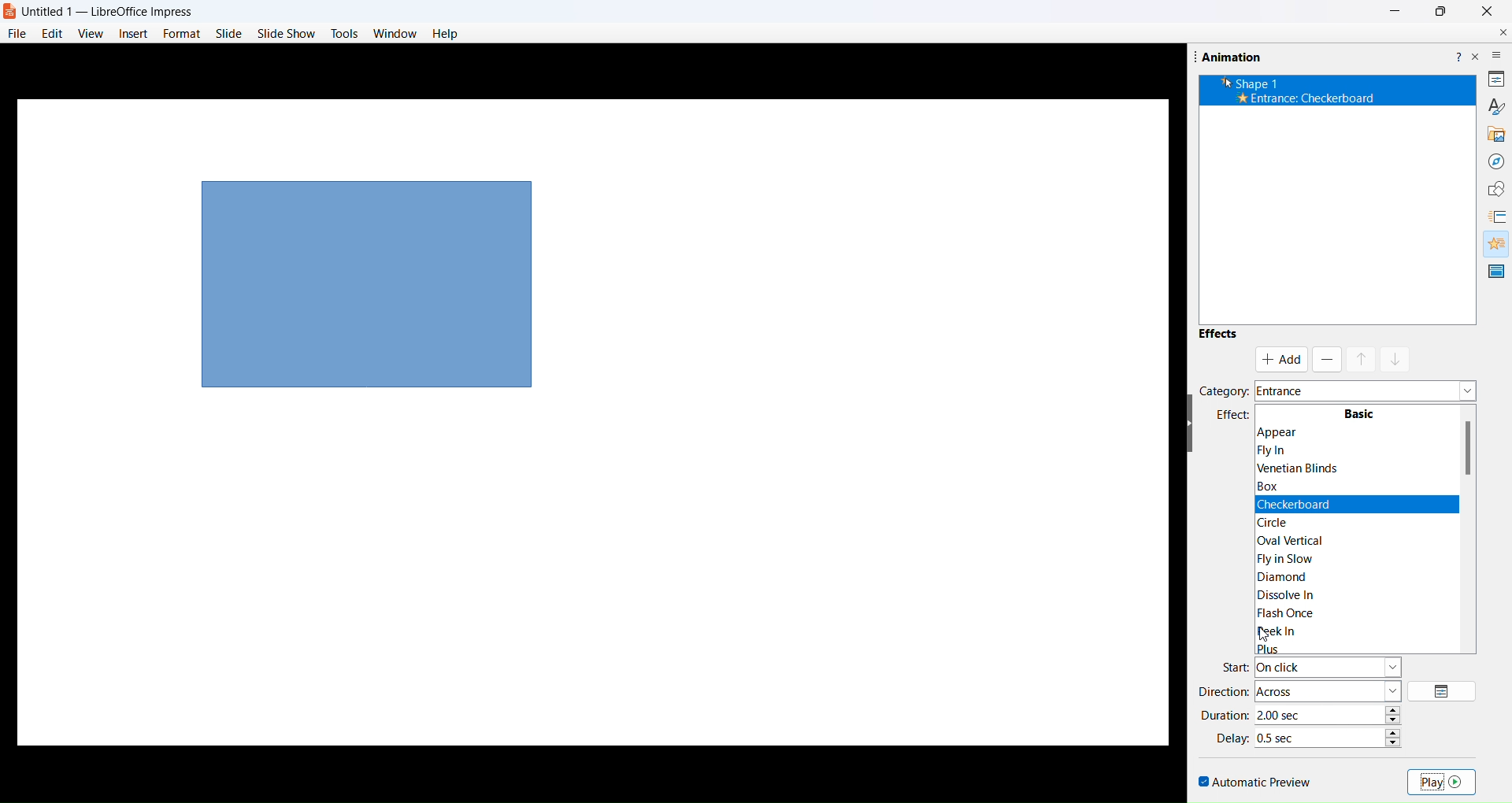 Image resolution: width=1512 pixels, height=803 pixels. I want to click on start, so click(1235, 665).